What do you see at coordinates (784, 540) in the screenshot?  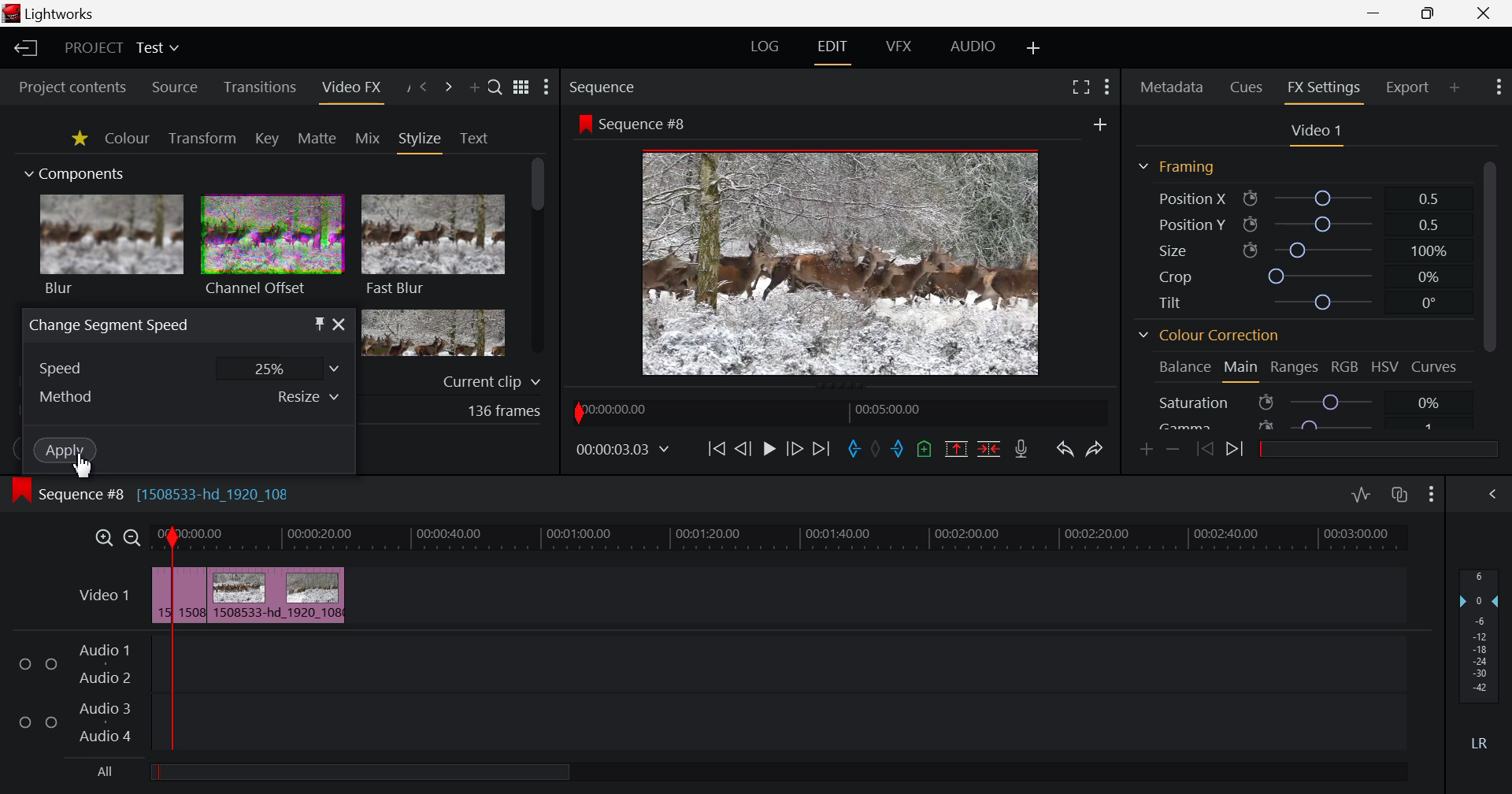 I see `Timeline Track` at bounding box center [784, 540].